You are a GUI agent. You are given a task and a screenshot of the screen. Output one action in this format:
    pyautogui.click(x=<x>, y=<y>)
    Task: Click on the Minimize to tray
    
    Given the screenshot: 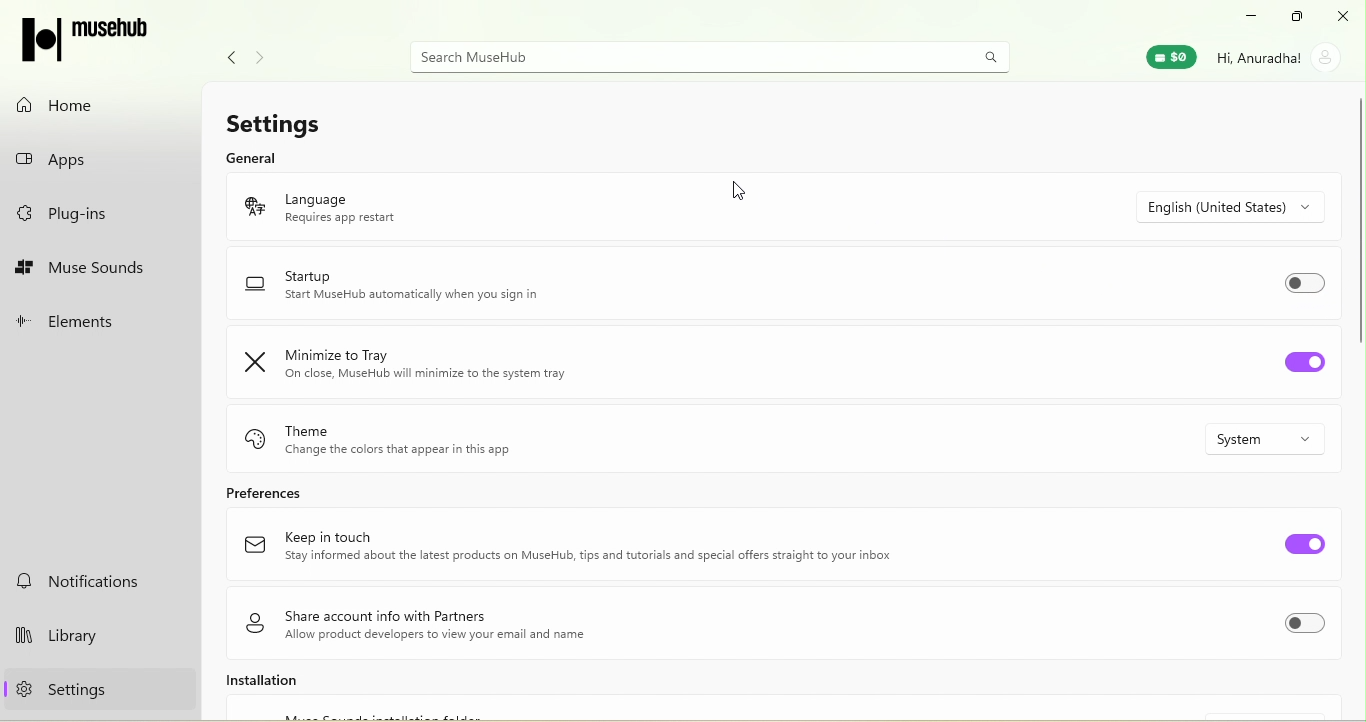 What is the action you would take?
    pyautogui.click(x=419, y=364)
    